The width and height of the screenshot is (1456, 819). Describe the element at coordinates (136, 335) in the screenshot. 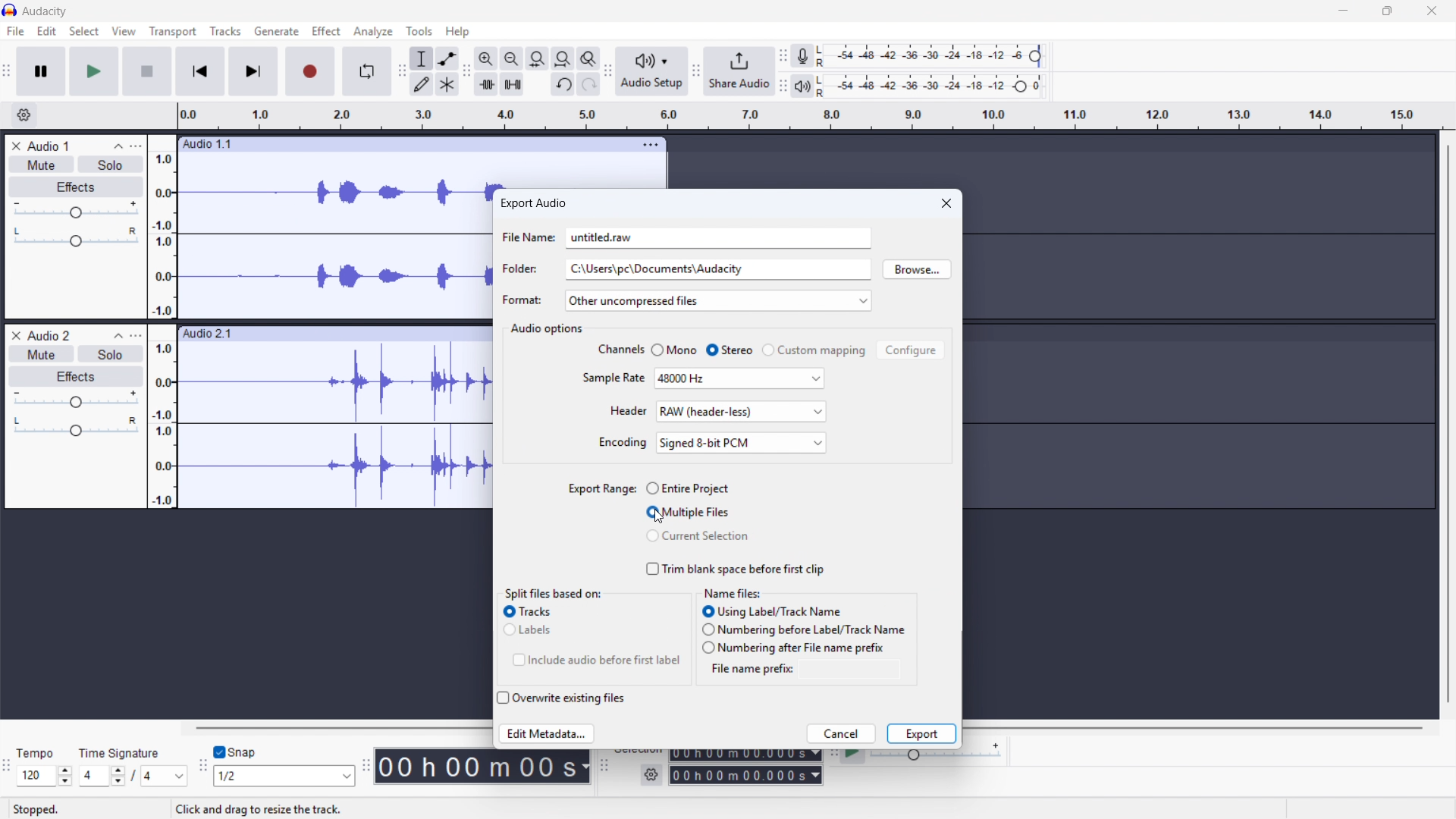

I see `Track control panel menu` at that location.